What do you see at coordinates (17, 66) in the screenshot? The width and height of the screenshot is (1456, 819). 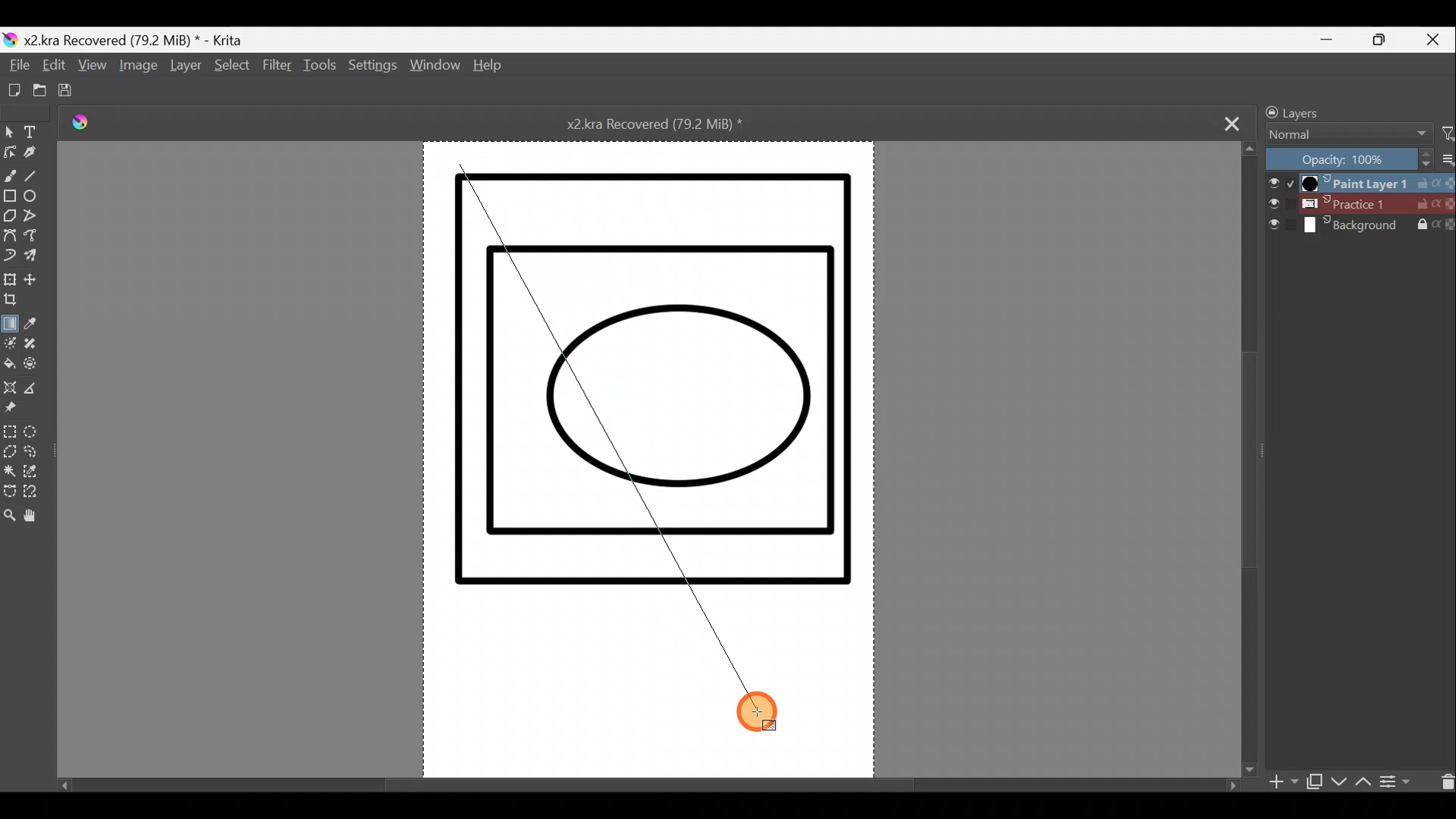 I see `File` at bounding box center [17, 66].